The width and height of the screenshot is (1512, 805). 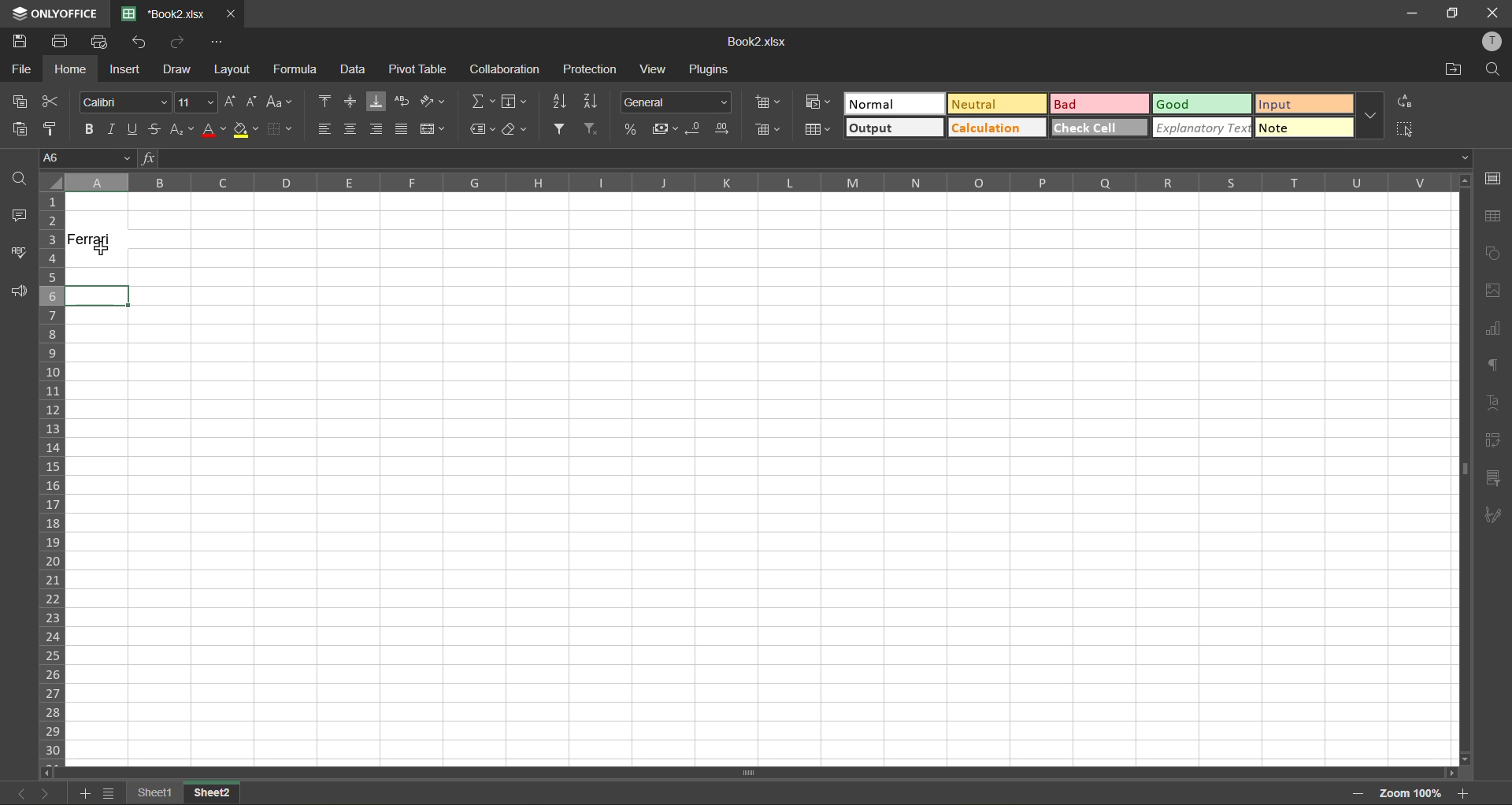 What do you see at coordinates (53, 130) in the screenshot?
I see `copy style` at bounding box center [53, 130].